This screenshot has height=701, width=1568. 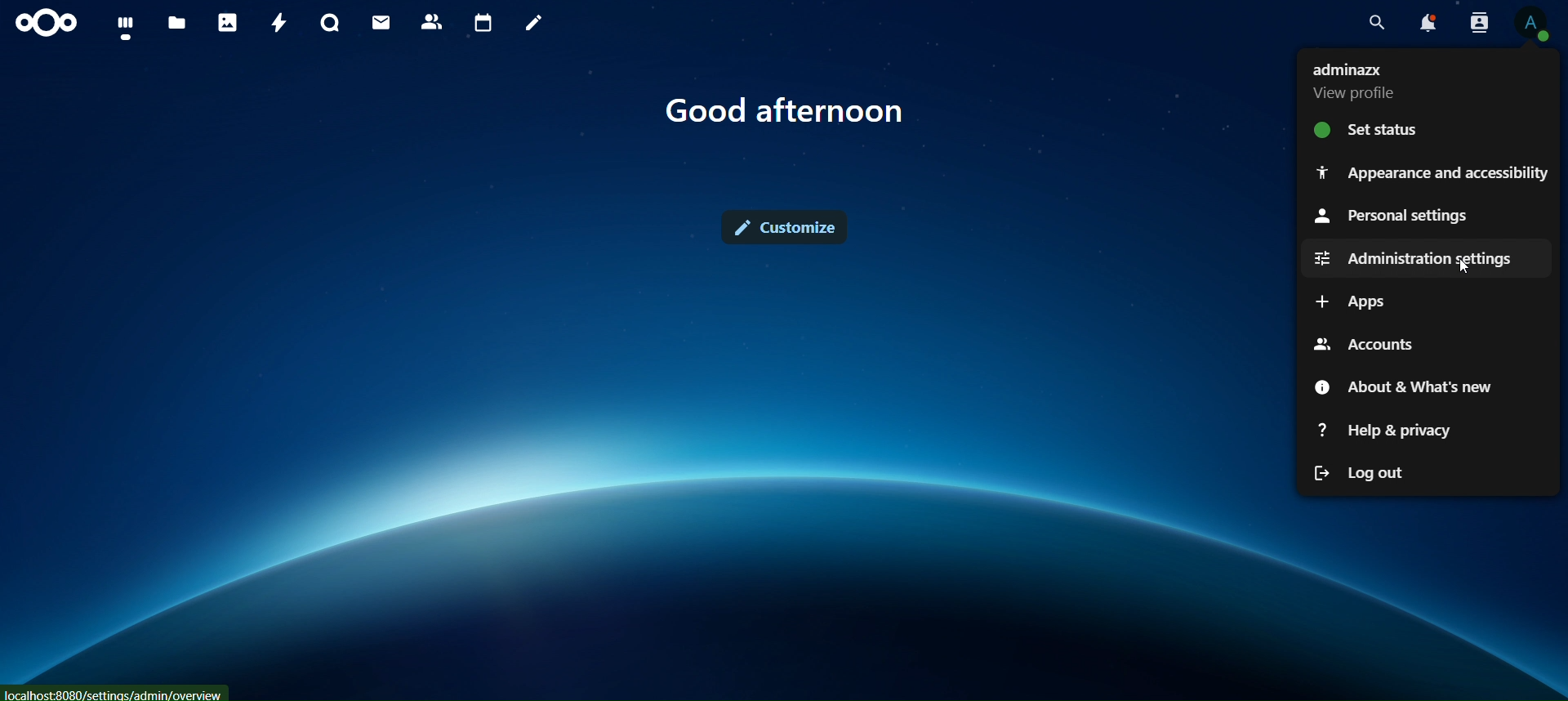 I want to click on view profile, so click(x=1371, y=83).